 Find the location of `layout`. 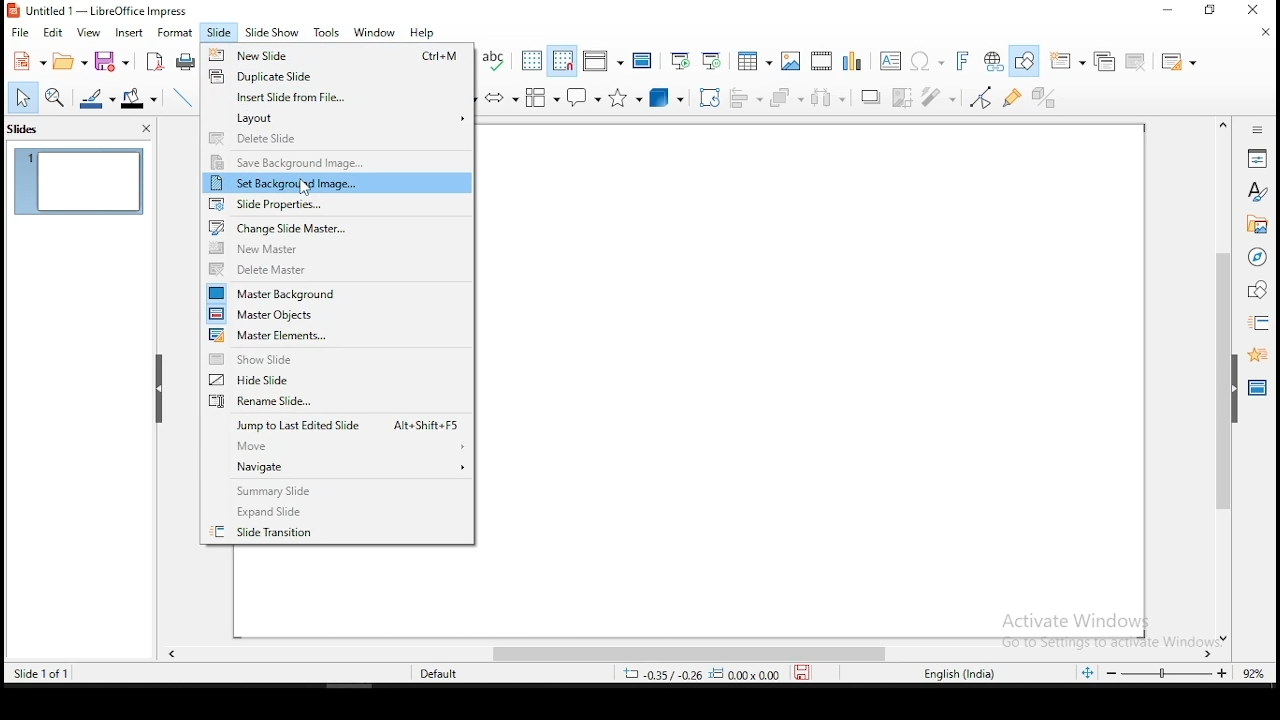

layout is located at coordinates (334, 118).